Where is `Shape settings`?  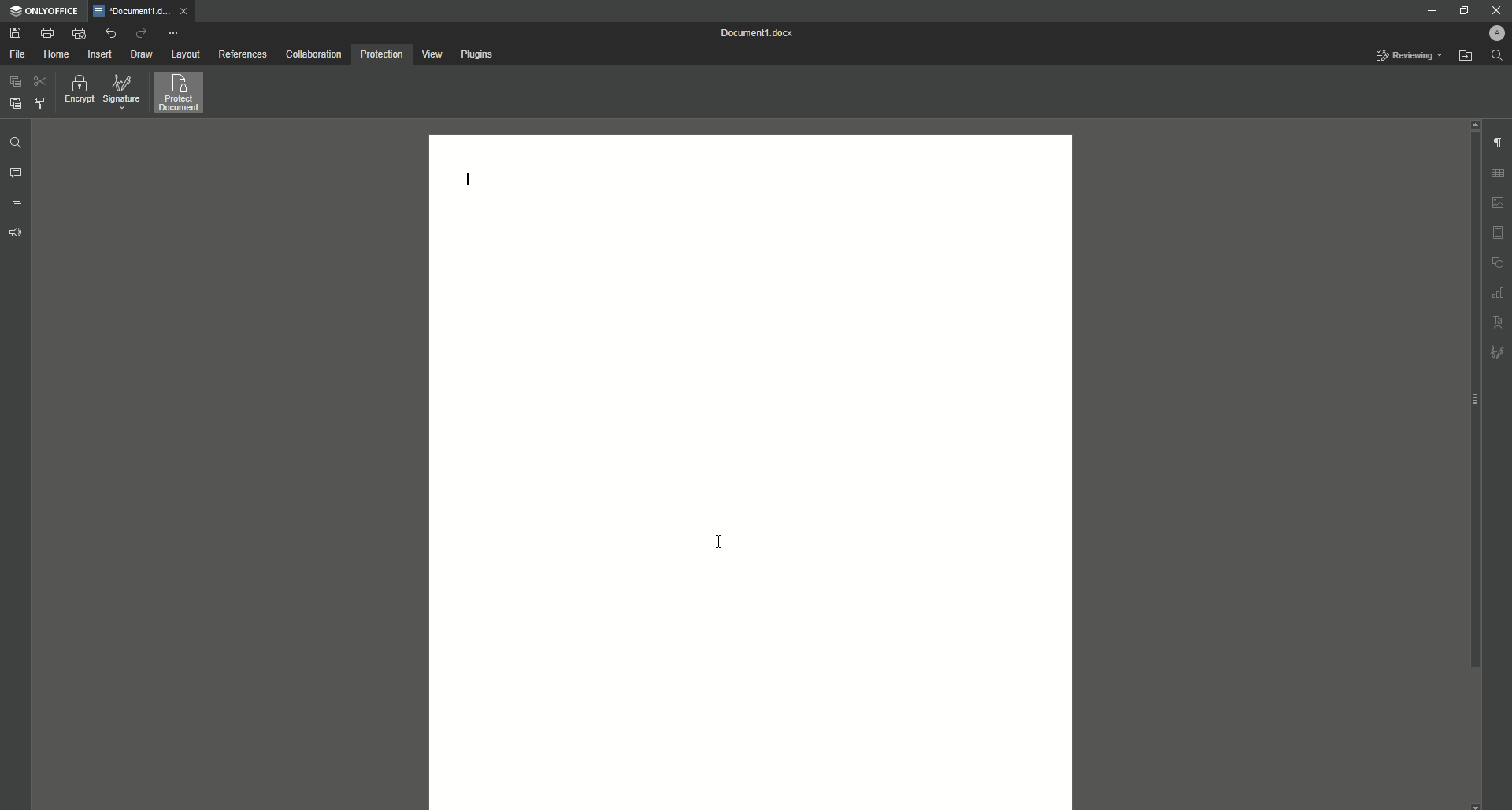
Shape settings is located at coordinates (1499, 263).